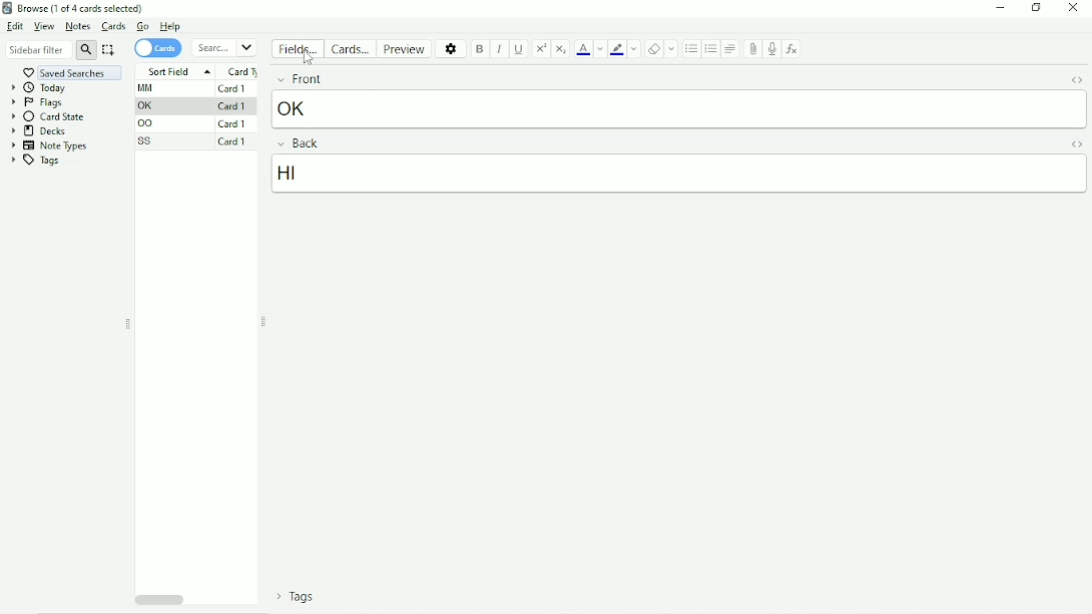 This screenshot has width=1092, height=614. What do you see at coordinates (171, 26) in the screenshot?
I see `Help` at bounding box center [171, 26].